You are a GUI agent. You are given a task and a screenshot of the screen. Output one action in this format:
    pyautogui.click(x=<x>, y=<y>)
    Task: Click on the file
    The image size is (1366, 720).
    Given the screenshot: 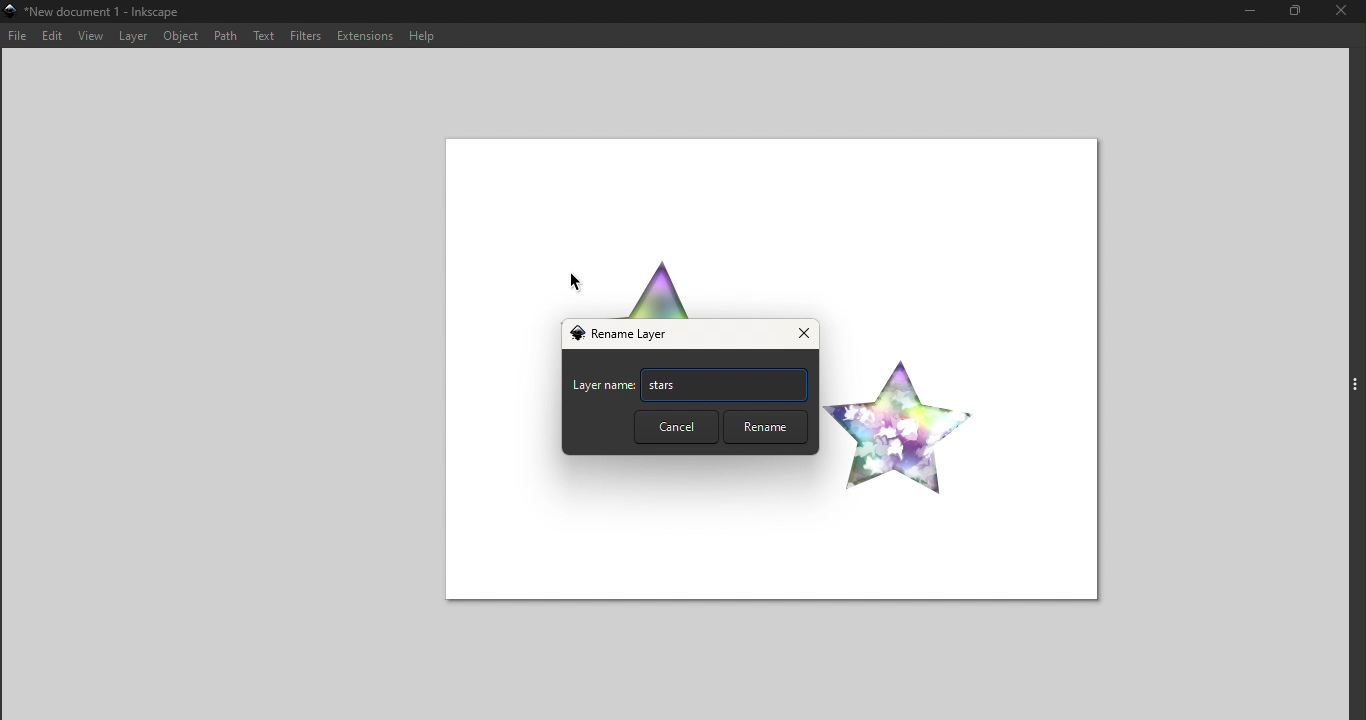 What is the action you would take?
    pyautogui.click(x=18, y=37)
    